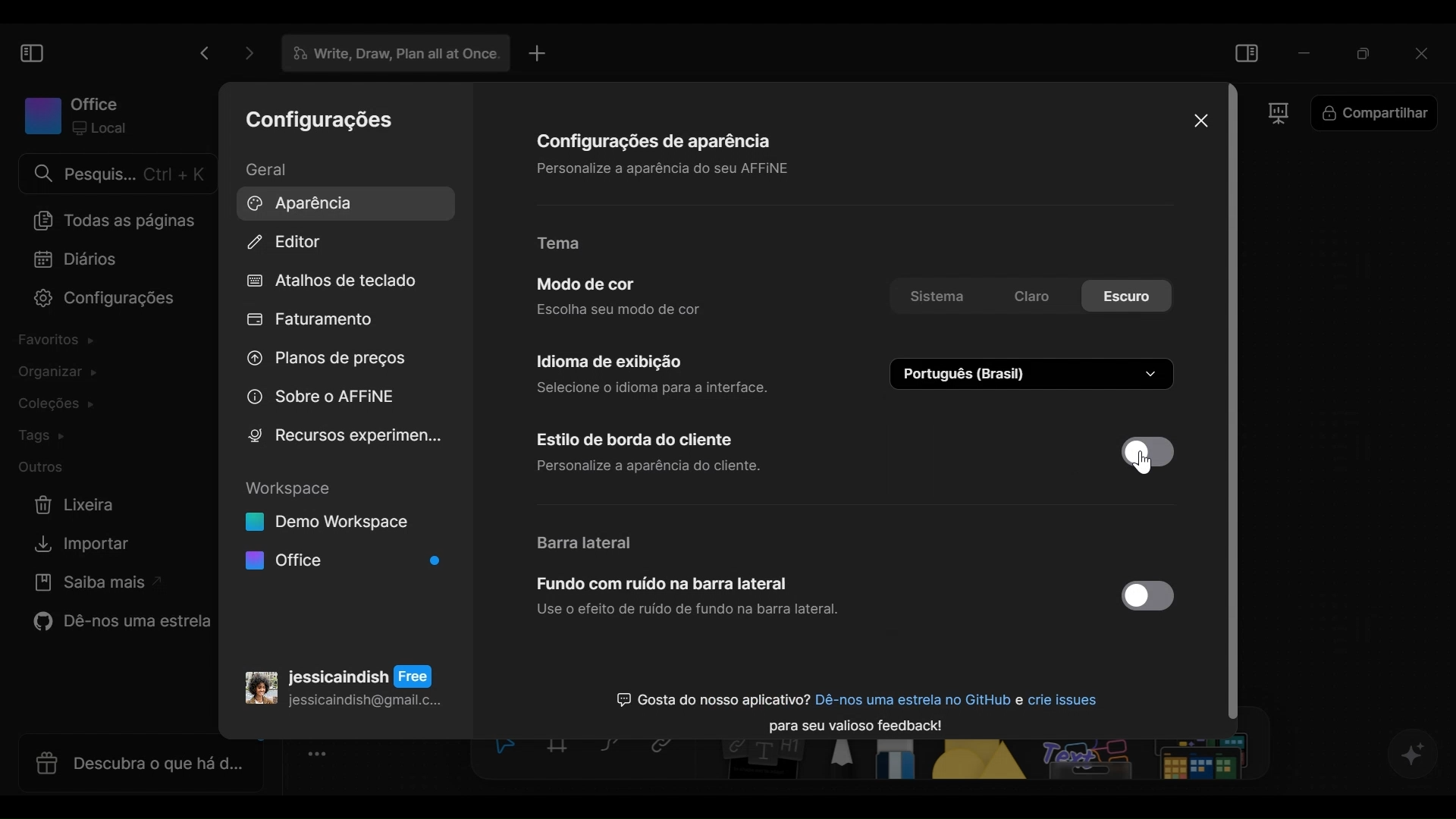 This screenshot has width=1456, height=819. I want to click on Eraser, so click(899, 761).